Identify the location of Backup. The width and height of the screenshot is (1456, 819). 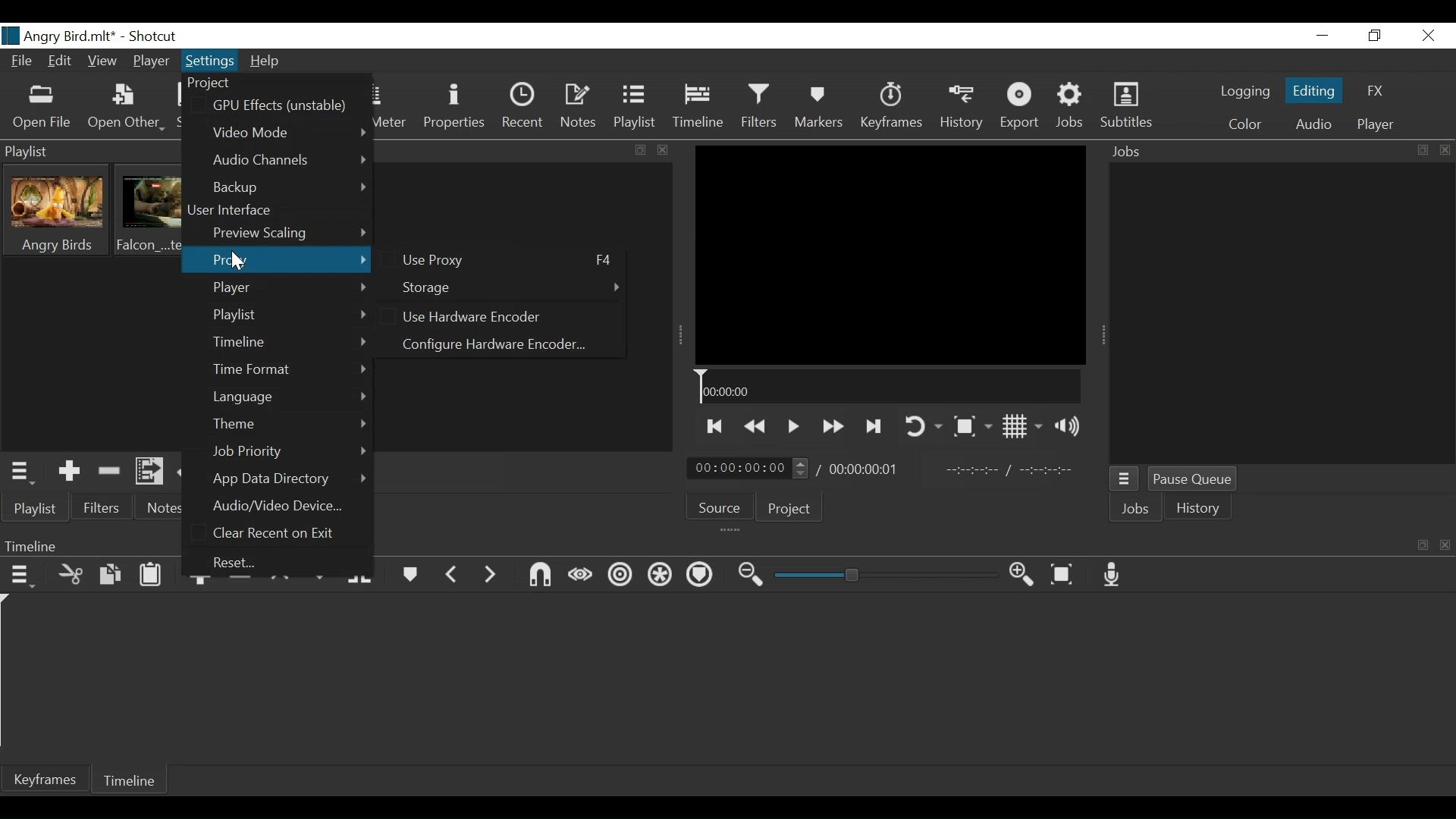
(288, 188).